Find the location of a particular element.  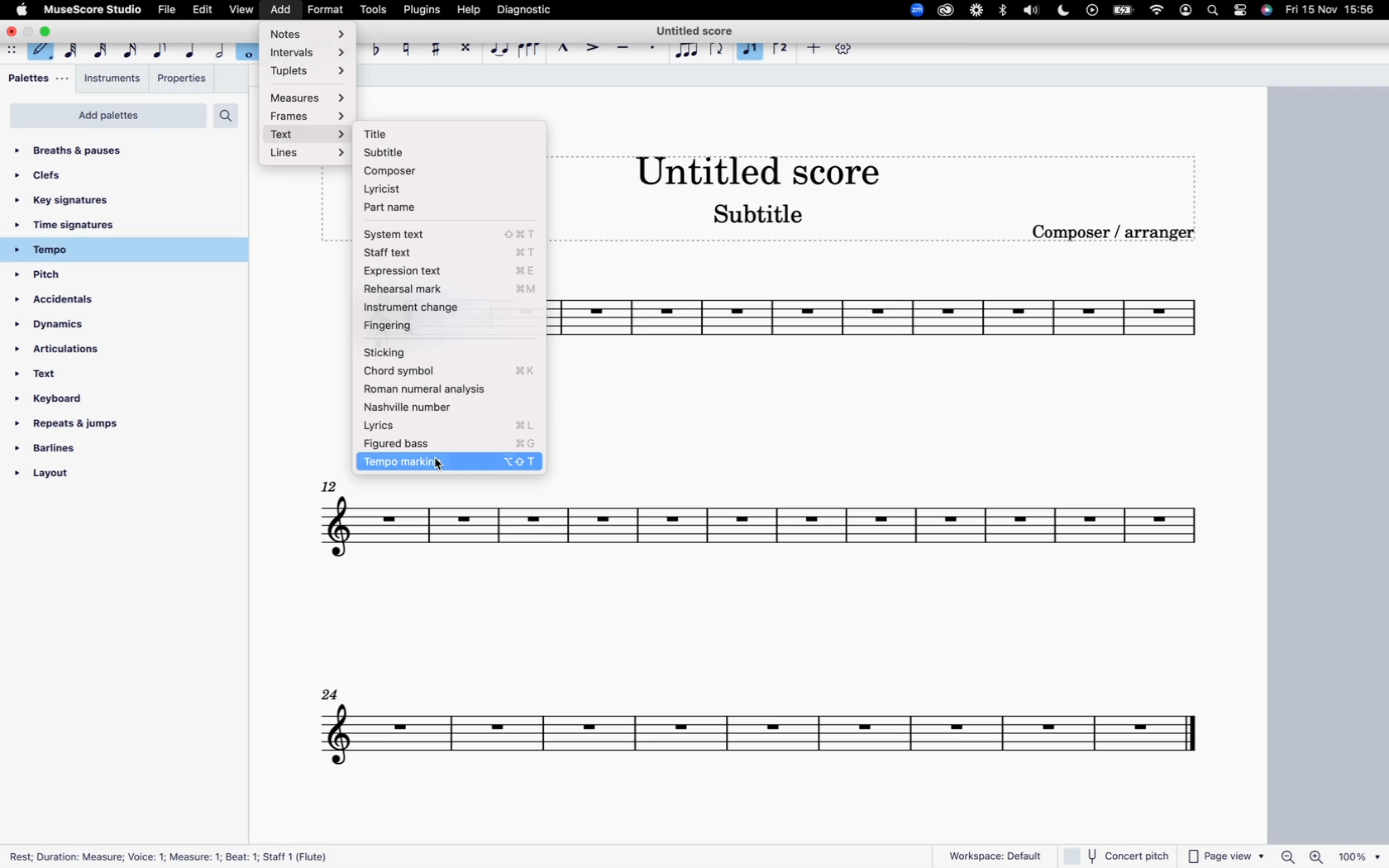

barlines is located at coordinates (93, 451).